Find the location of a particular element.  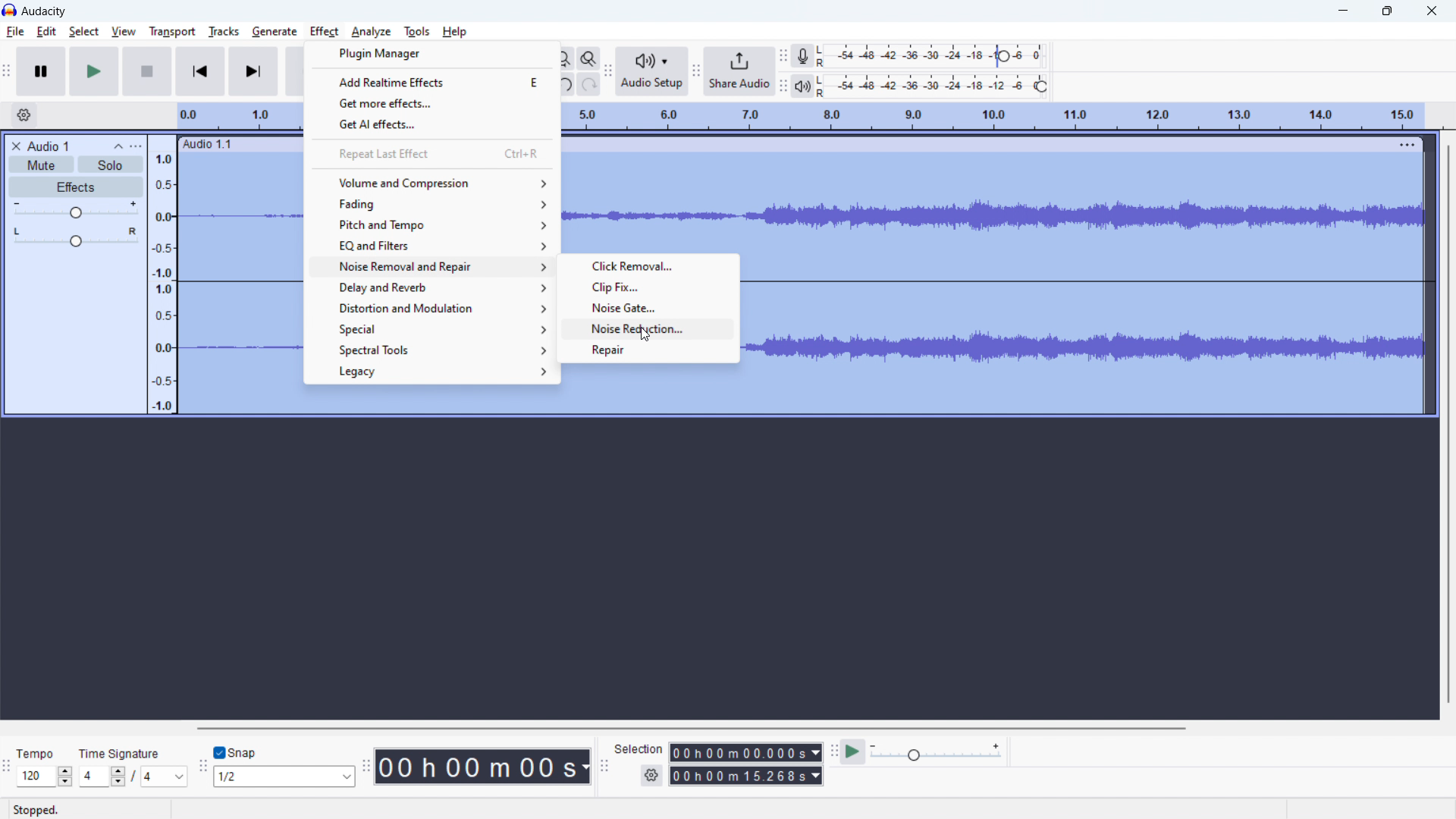

maximize is located at coordinates (1387, 12).